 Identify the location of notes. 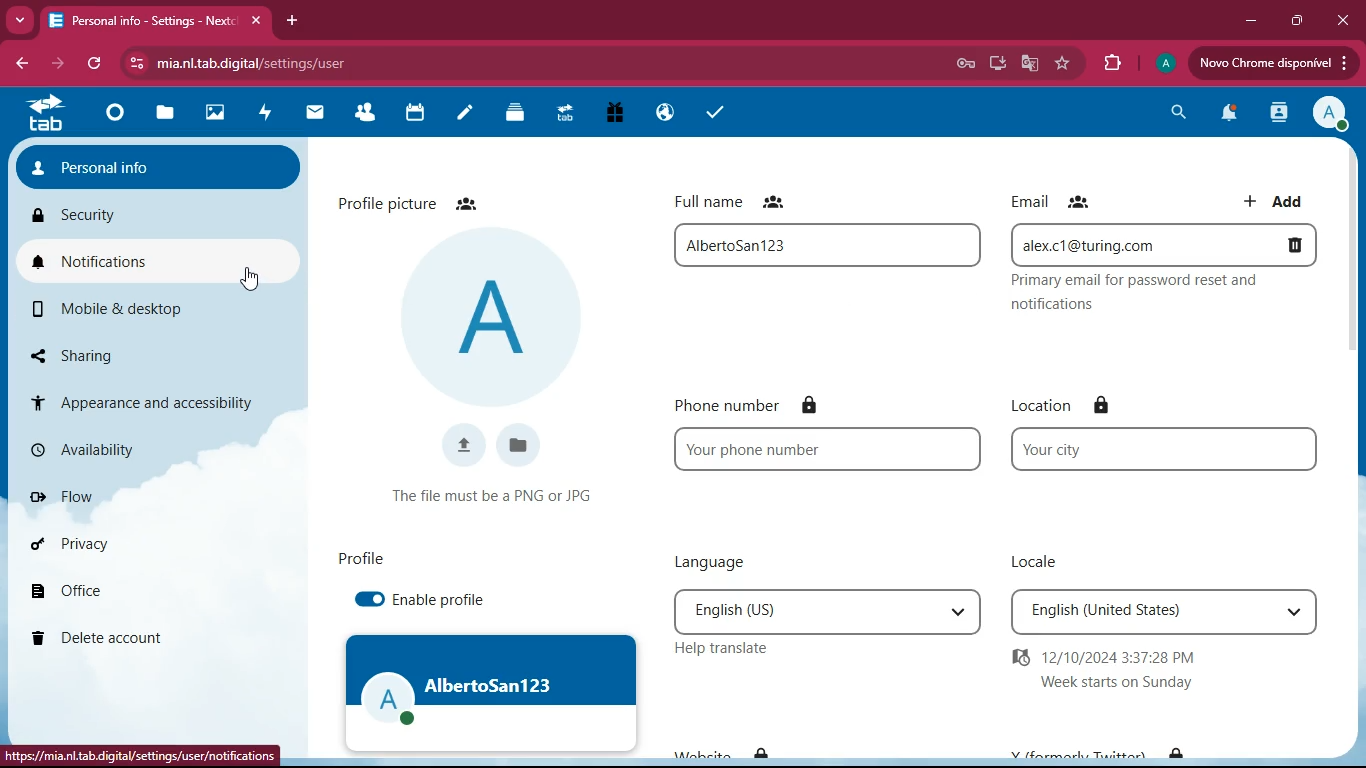
(464, 115).